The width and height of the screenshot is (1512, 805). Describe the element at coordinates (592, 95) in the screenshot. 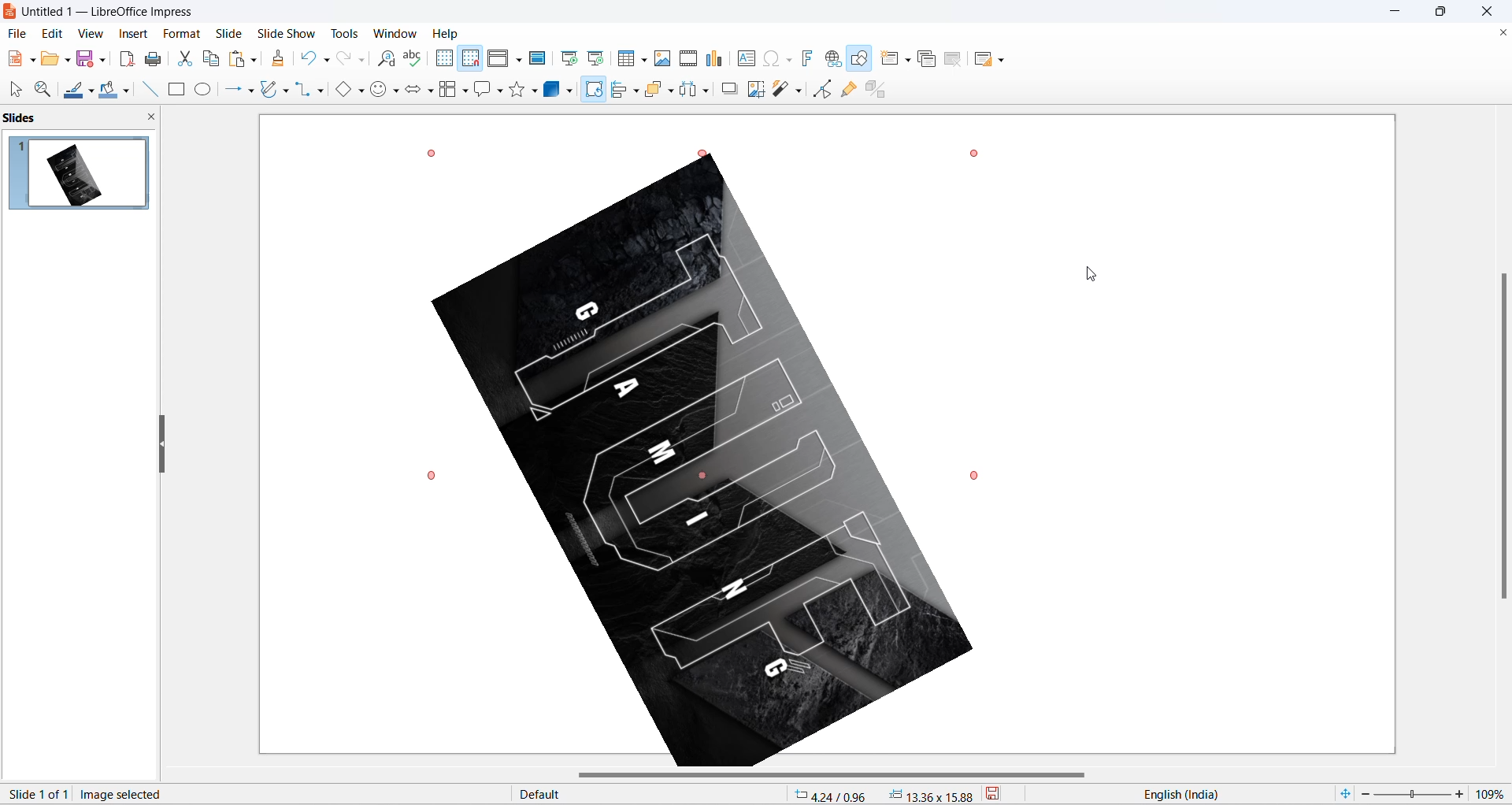

I see `rotate` at that location.